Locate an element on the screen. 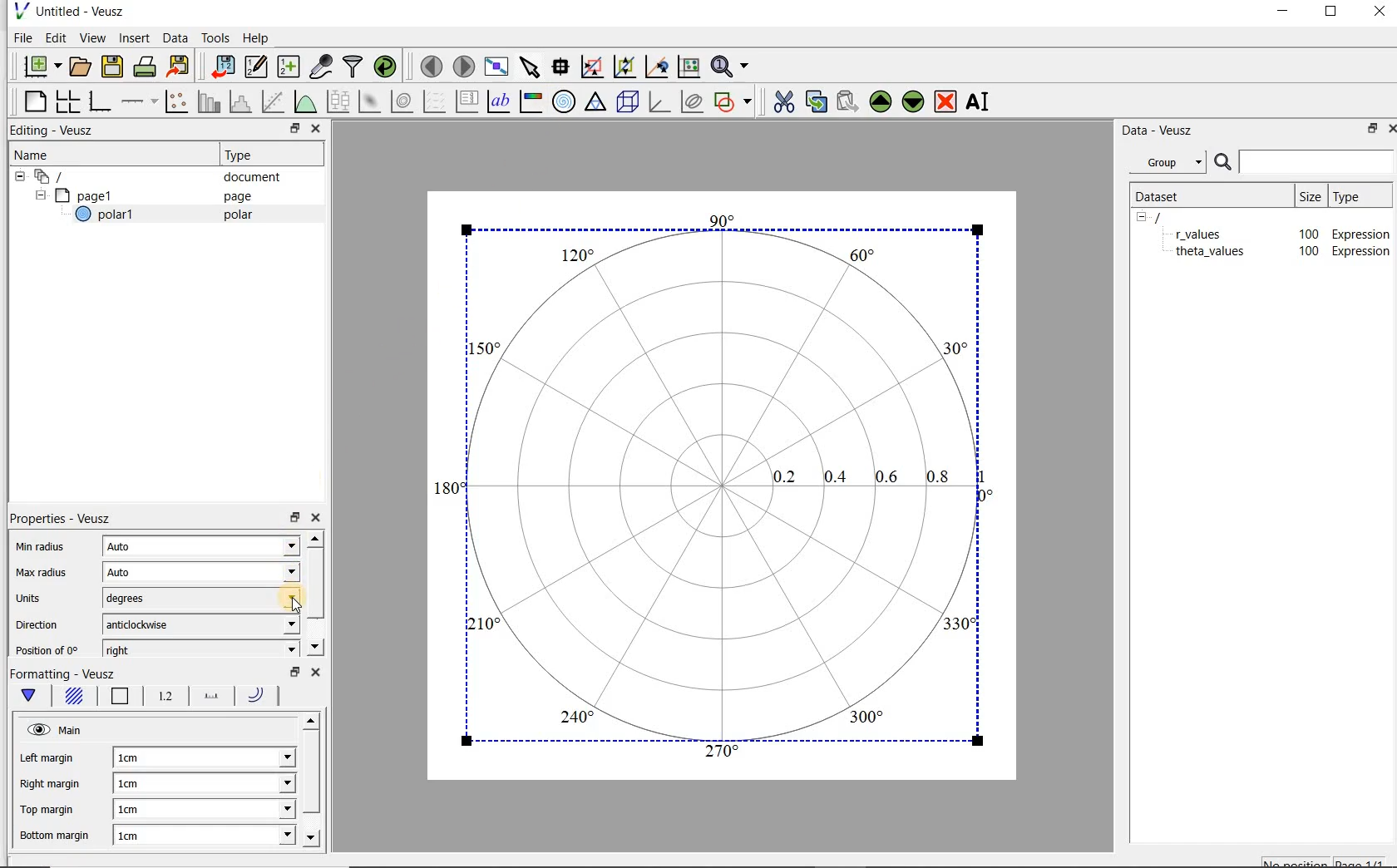 This screenshot has height=868, width=1397. /document name is located at coordinates (1172, 216).